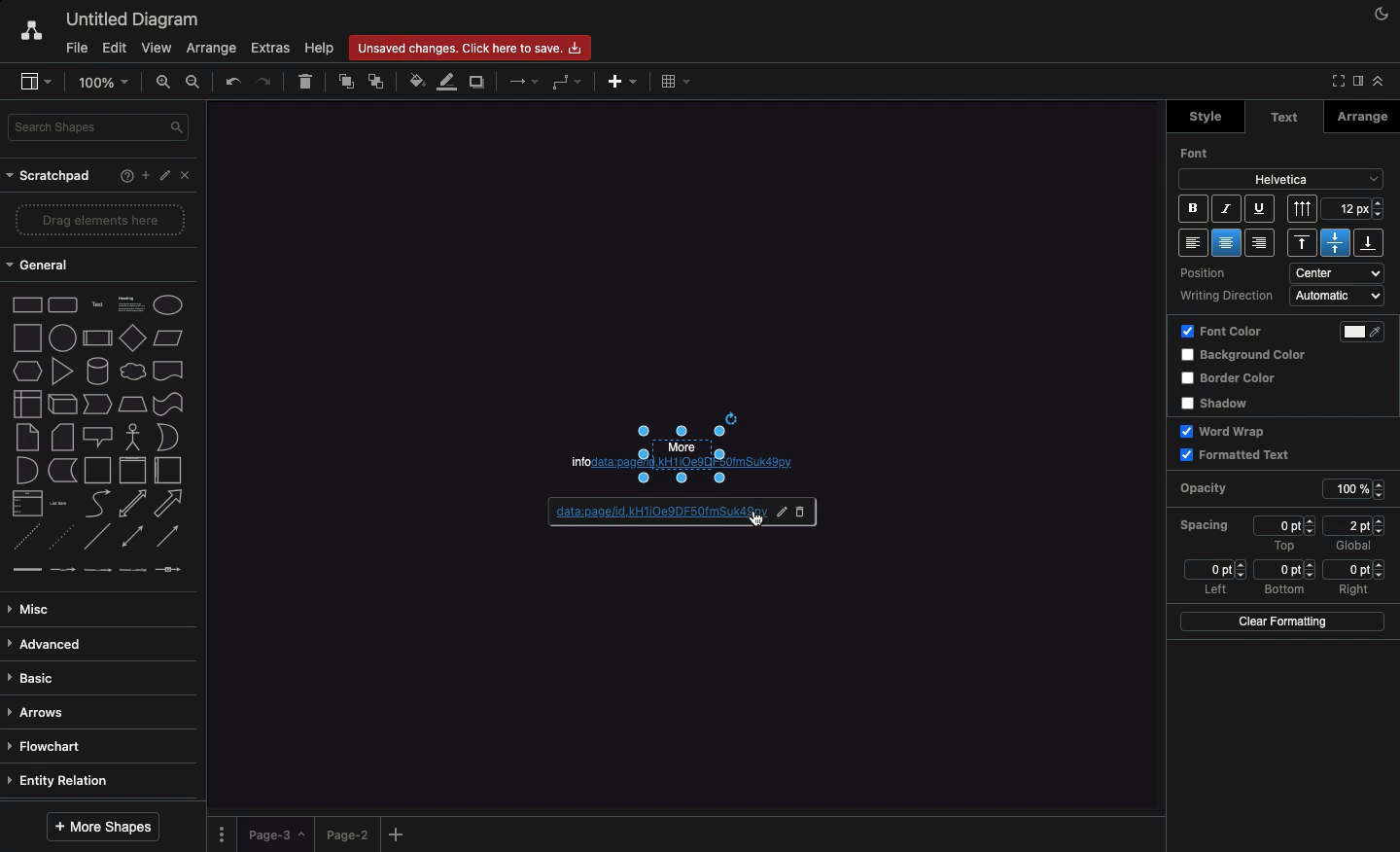 This screenshot has width=1400, height=852. Describe the element at coordinates (1354, 548) in the screenshot. I see `Global` at that location.